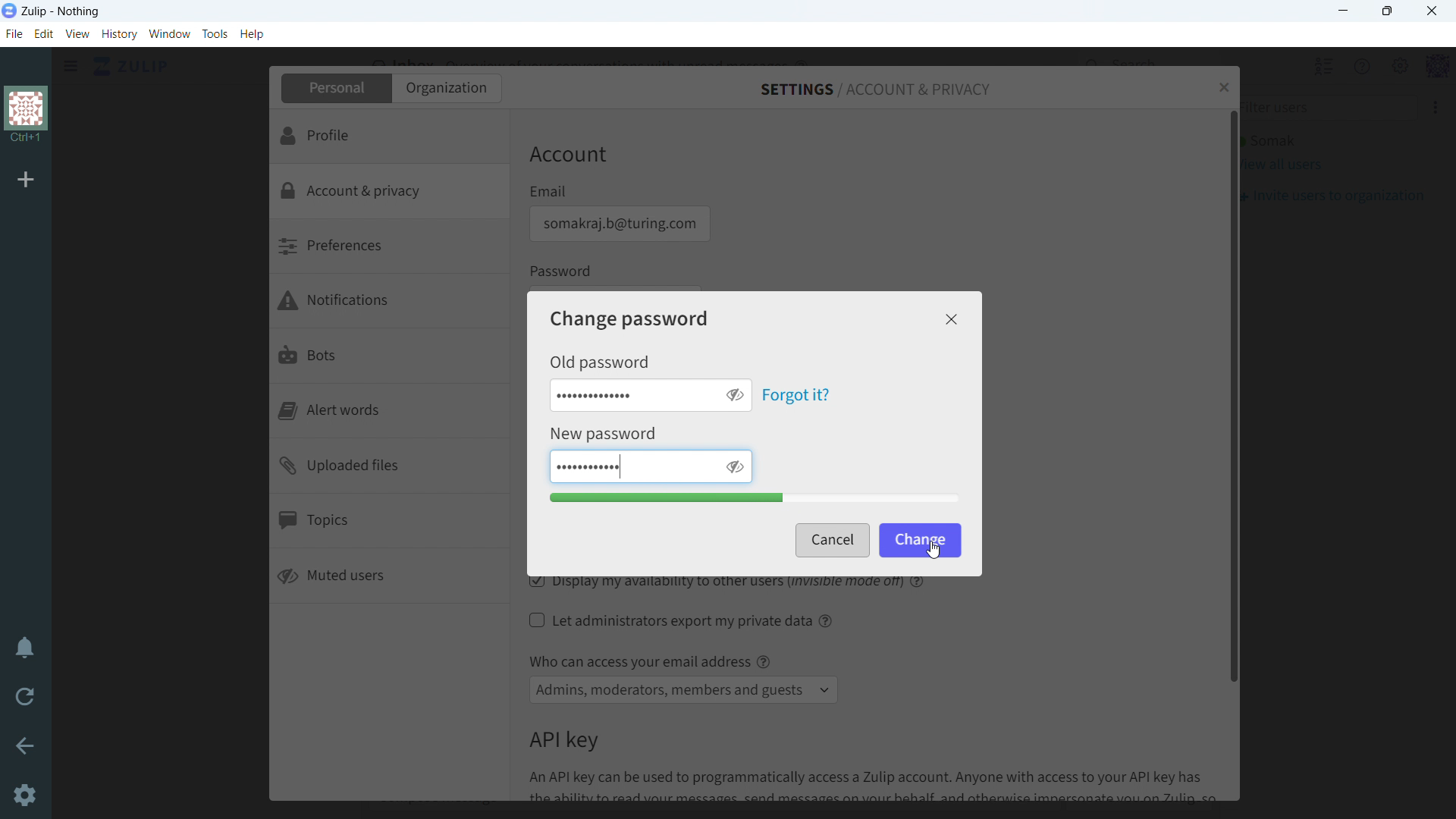 This screenshot has width=1456, height=819. I want to click on API key, so click(563, 740).